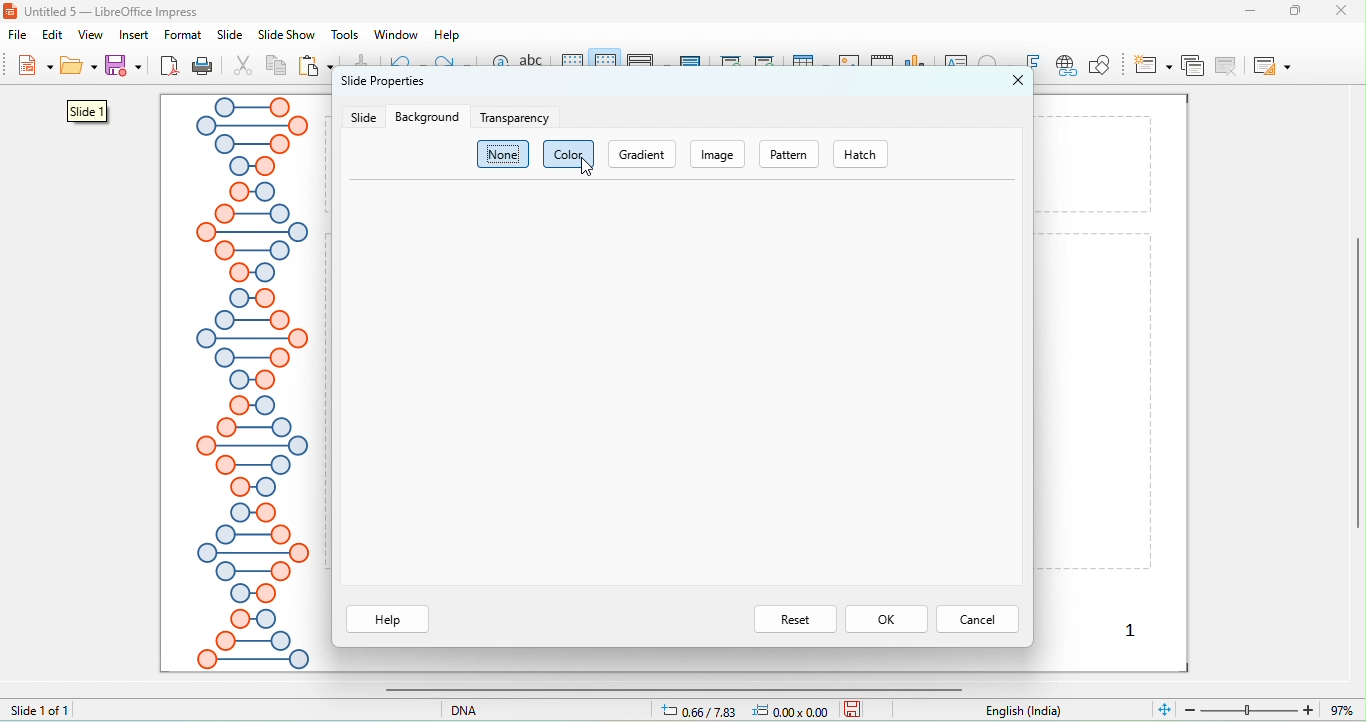 This screenshot has width=1366, height=722. What do you see at coordinates (789, 155) in the screenshot?
I see `pattern` at bounding box center [789, 155].